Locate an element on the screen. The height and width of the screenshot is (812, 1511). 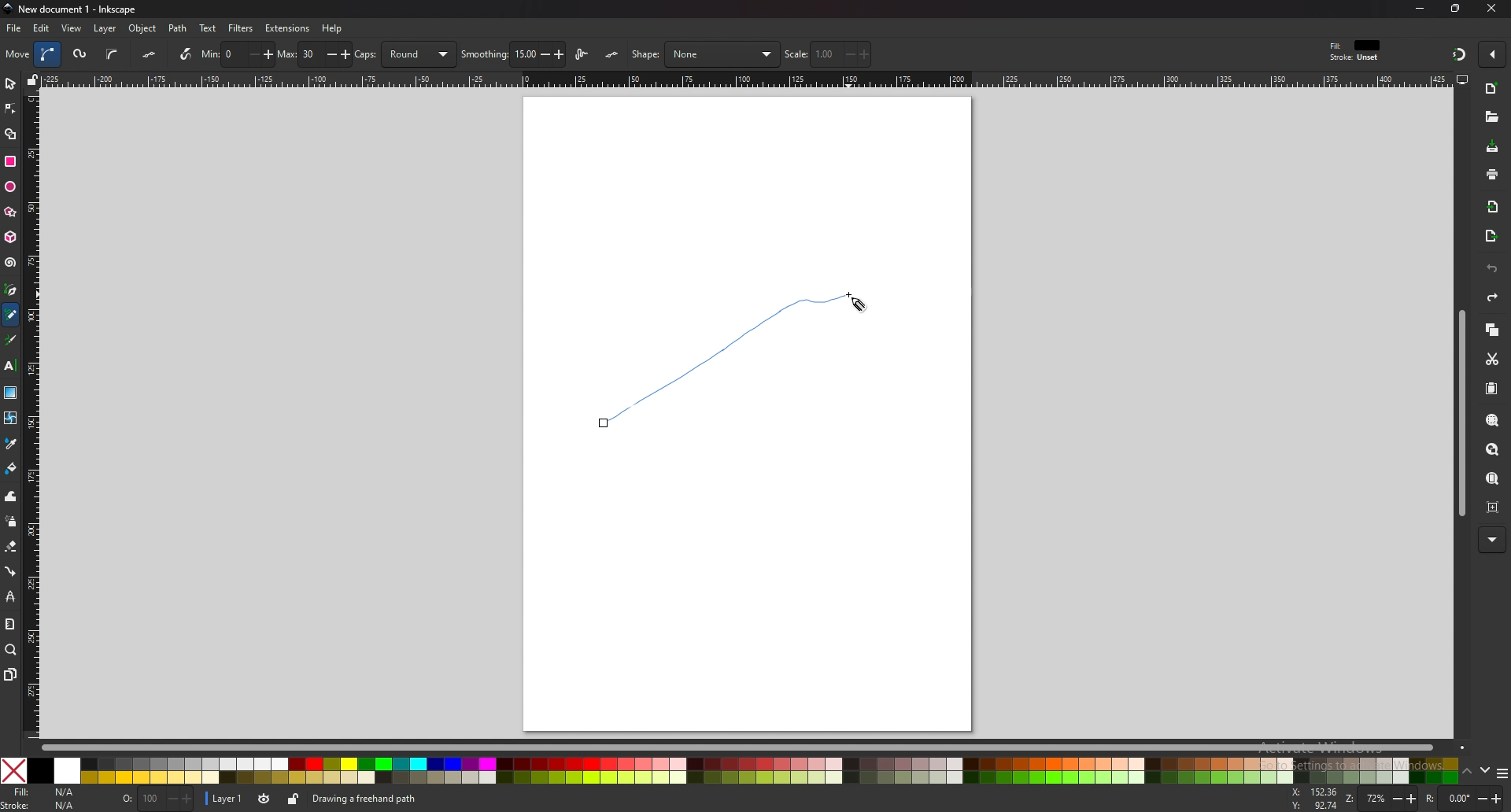
lock guides is located at coordinates (32, 79).